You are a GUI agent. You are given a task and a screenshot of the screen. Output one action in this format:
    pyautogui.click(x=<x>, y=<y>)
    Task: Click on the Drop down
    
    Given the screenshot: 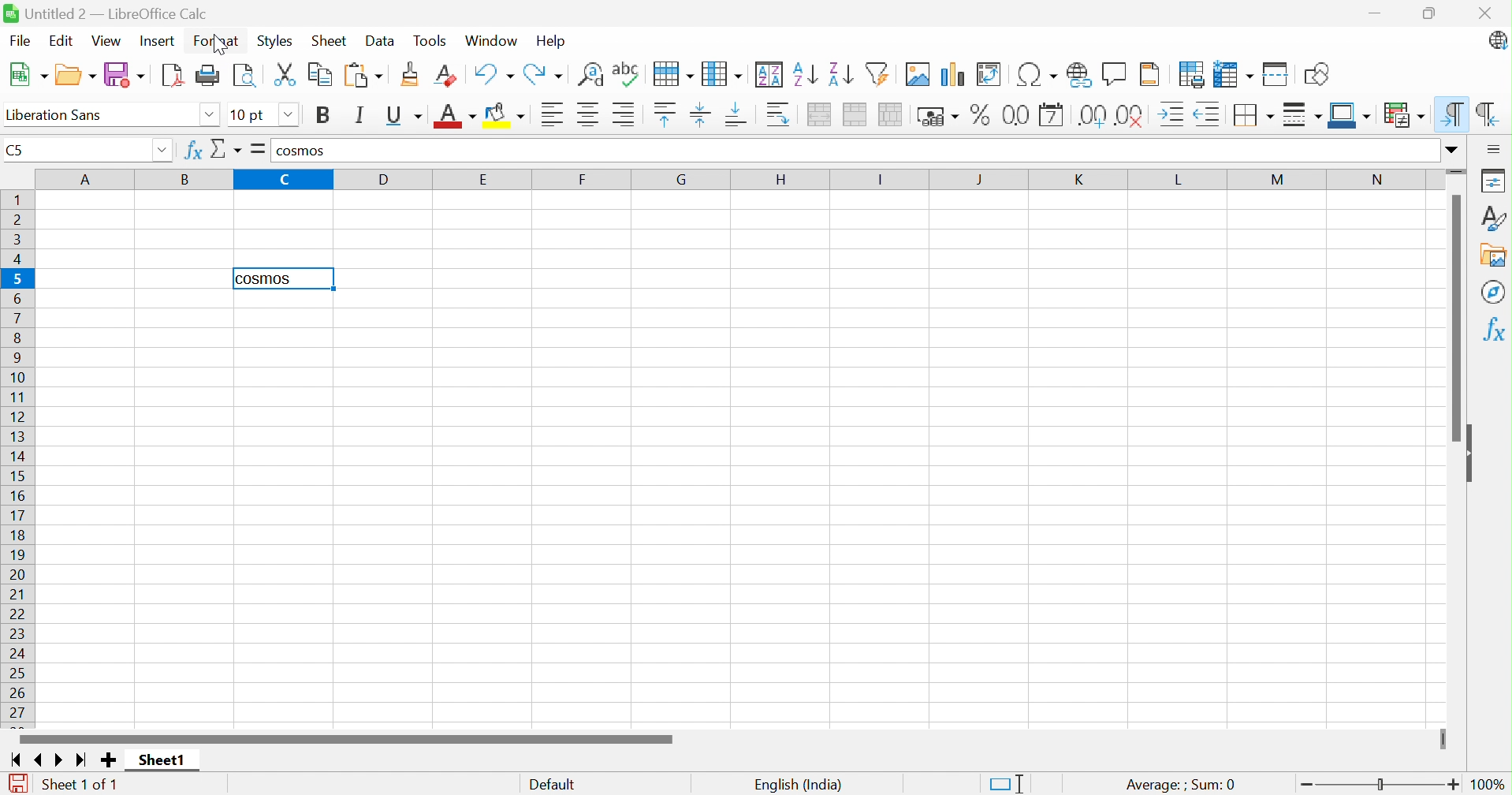 What is the action you would take?
    pyautogui.click(x=289, y=114)
    